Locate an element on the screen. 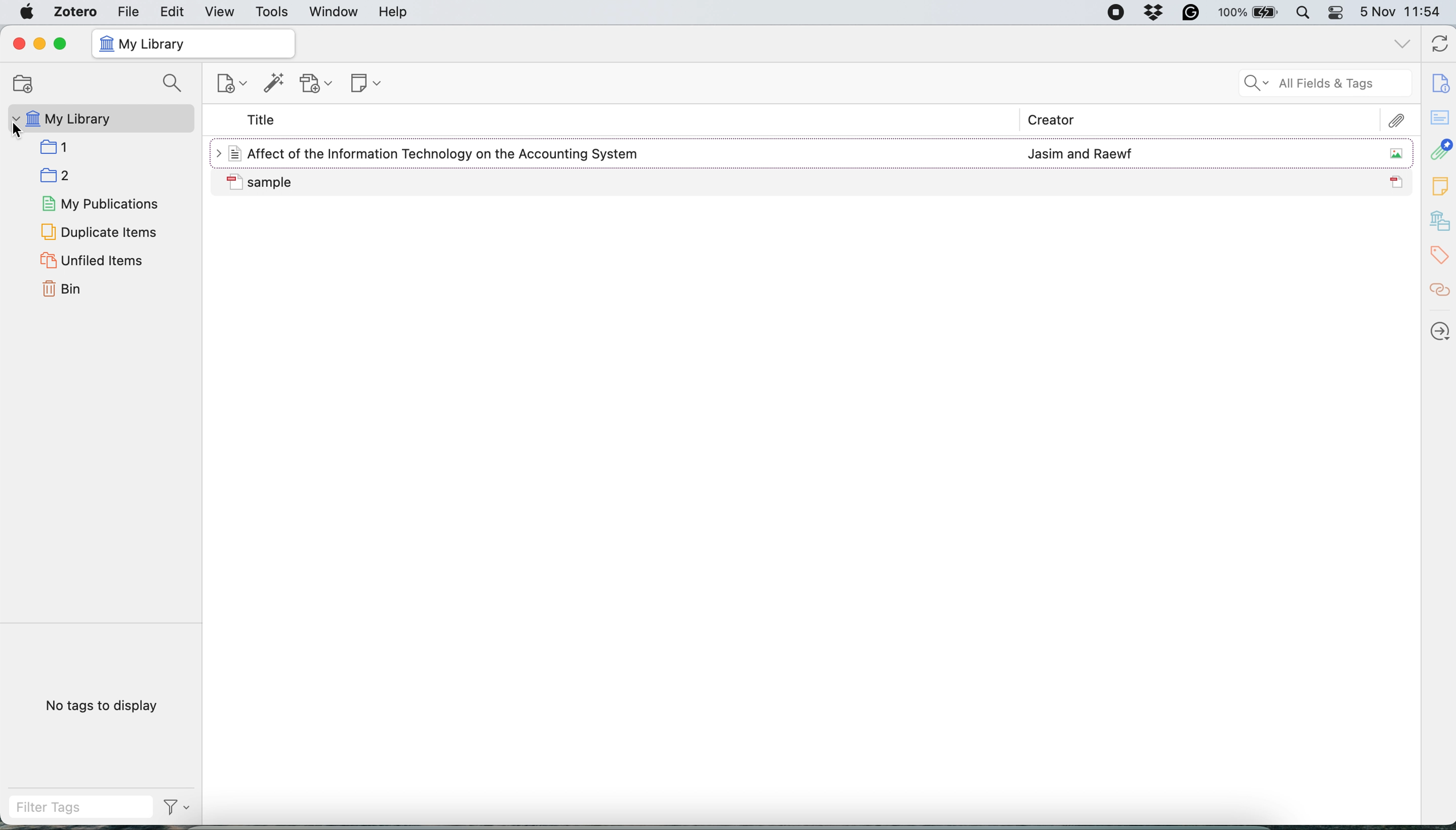 The image size is (1456, 830). abstract is located at coordinates (1438, 117).